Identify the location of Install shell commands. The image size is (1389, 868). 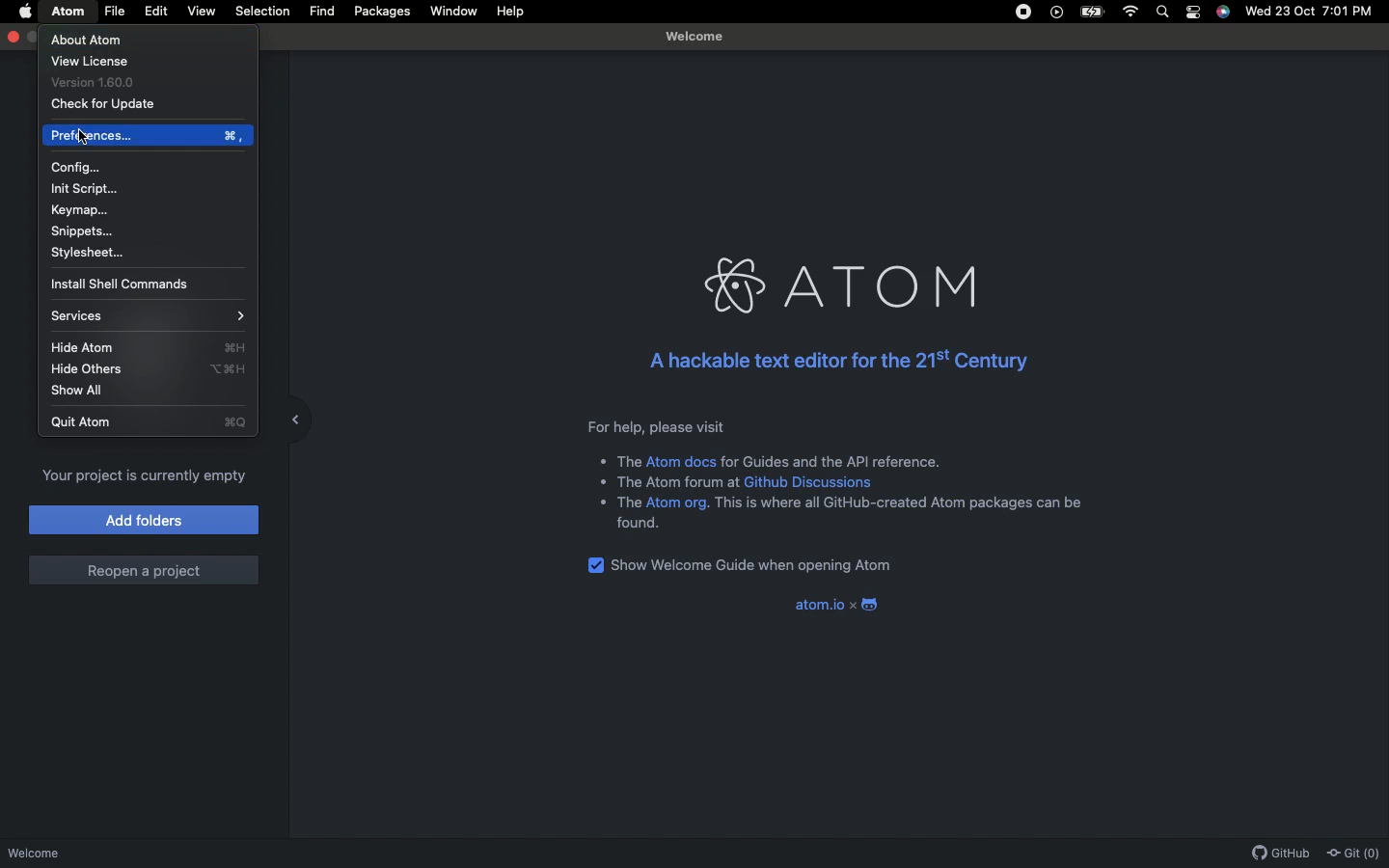
(119, 284).